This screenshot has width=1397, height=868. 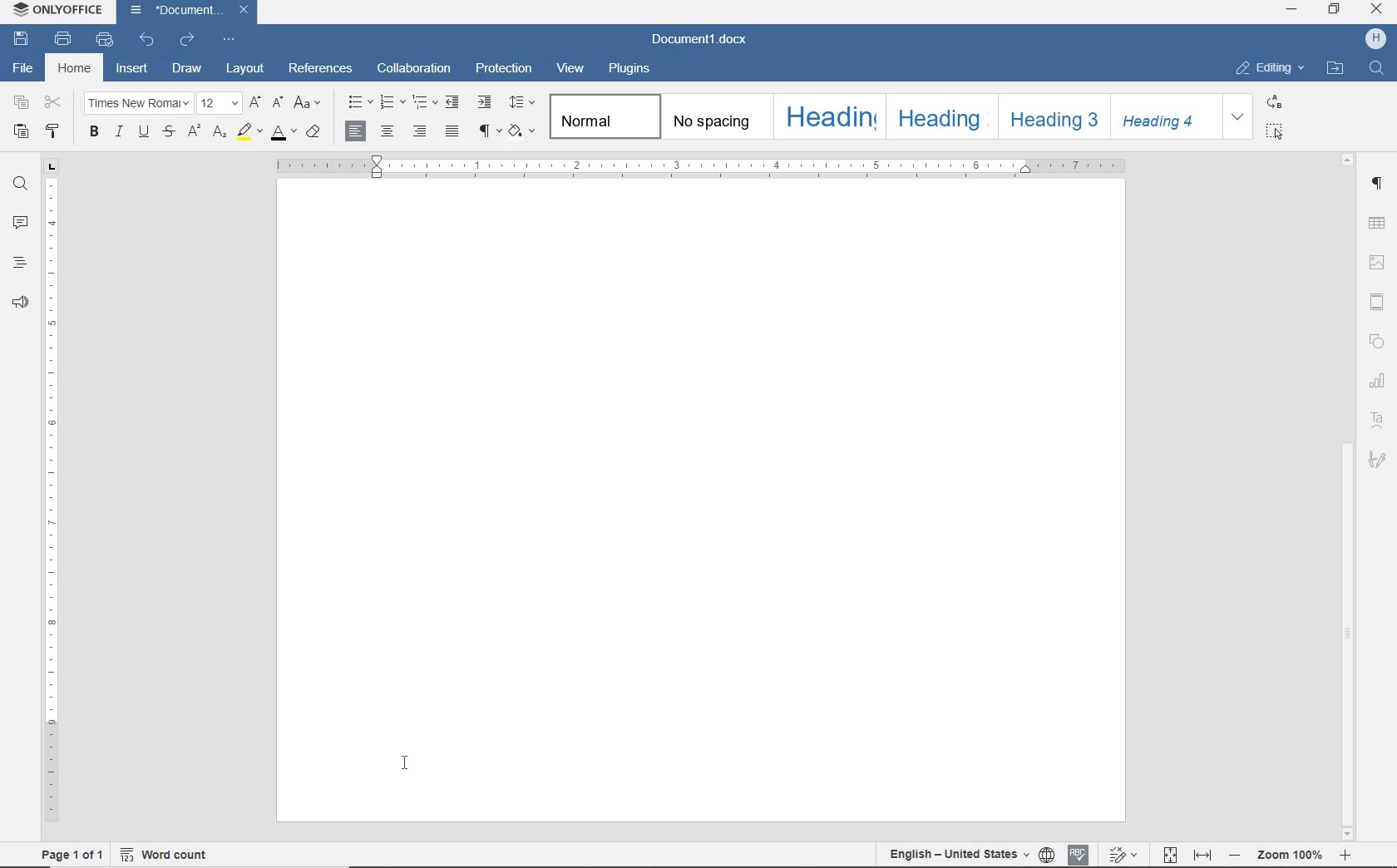 What do you see at coordinates (521, 101) in the screenshot?
I see `paragraph line spacing` at bounding box center [521, 101].